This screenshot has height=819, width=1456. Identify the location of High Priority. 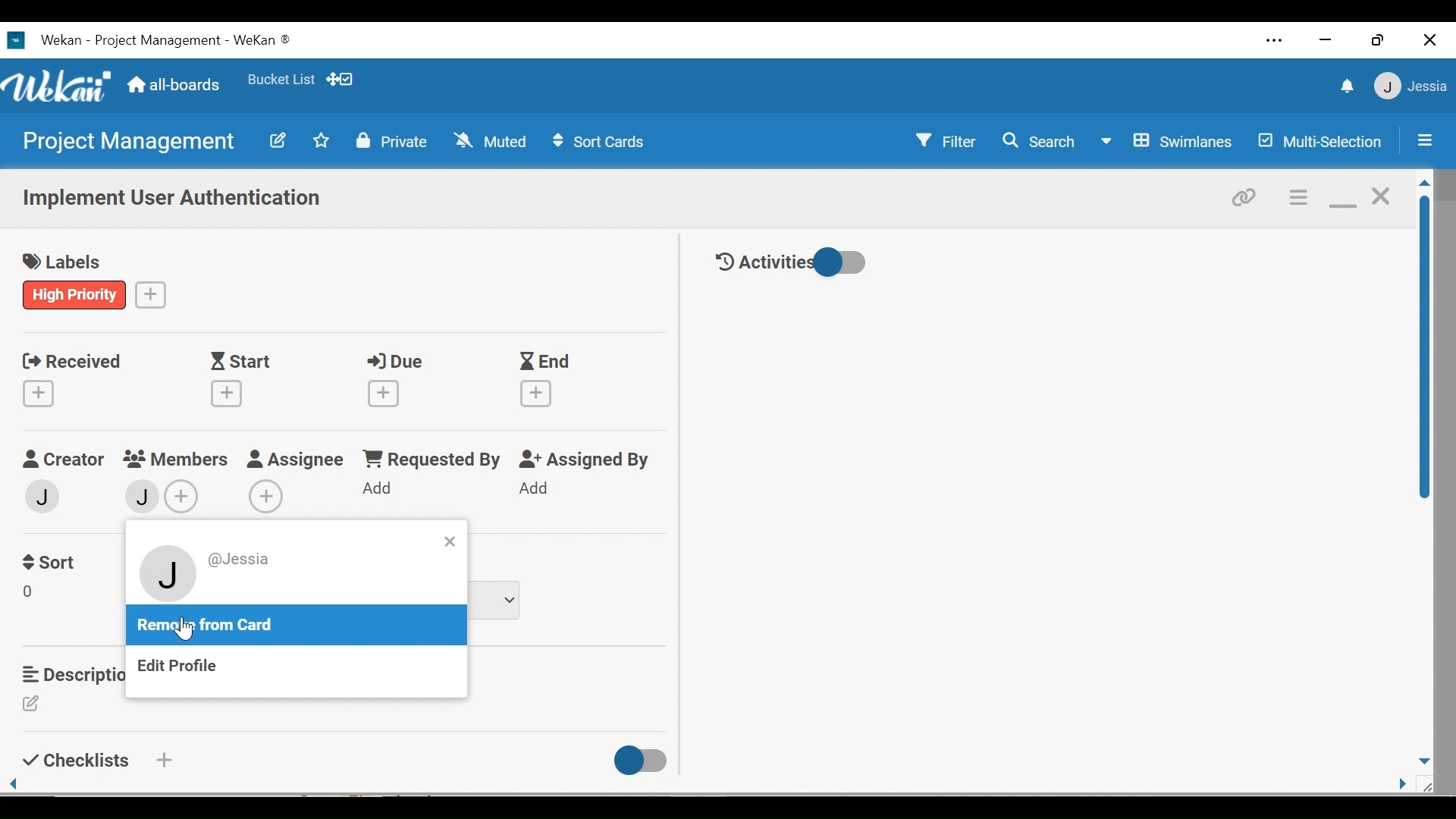
(76, 295).